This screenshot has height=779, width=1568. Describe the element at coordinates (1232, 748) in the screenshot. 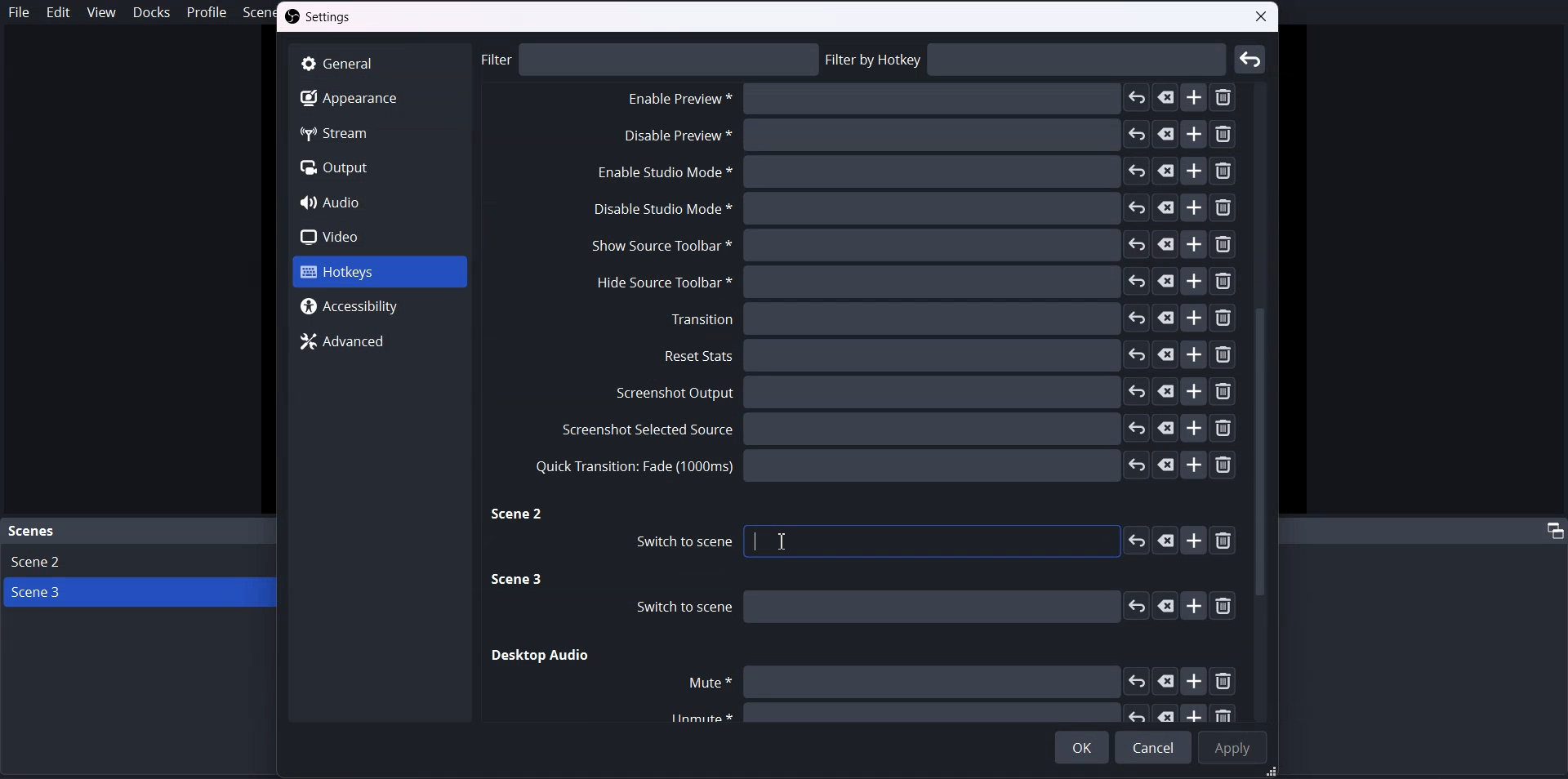

I see `Apply` at that location.